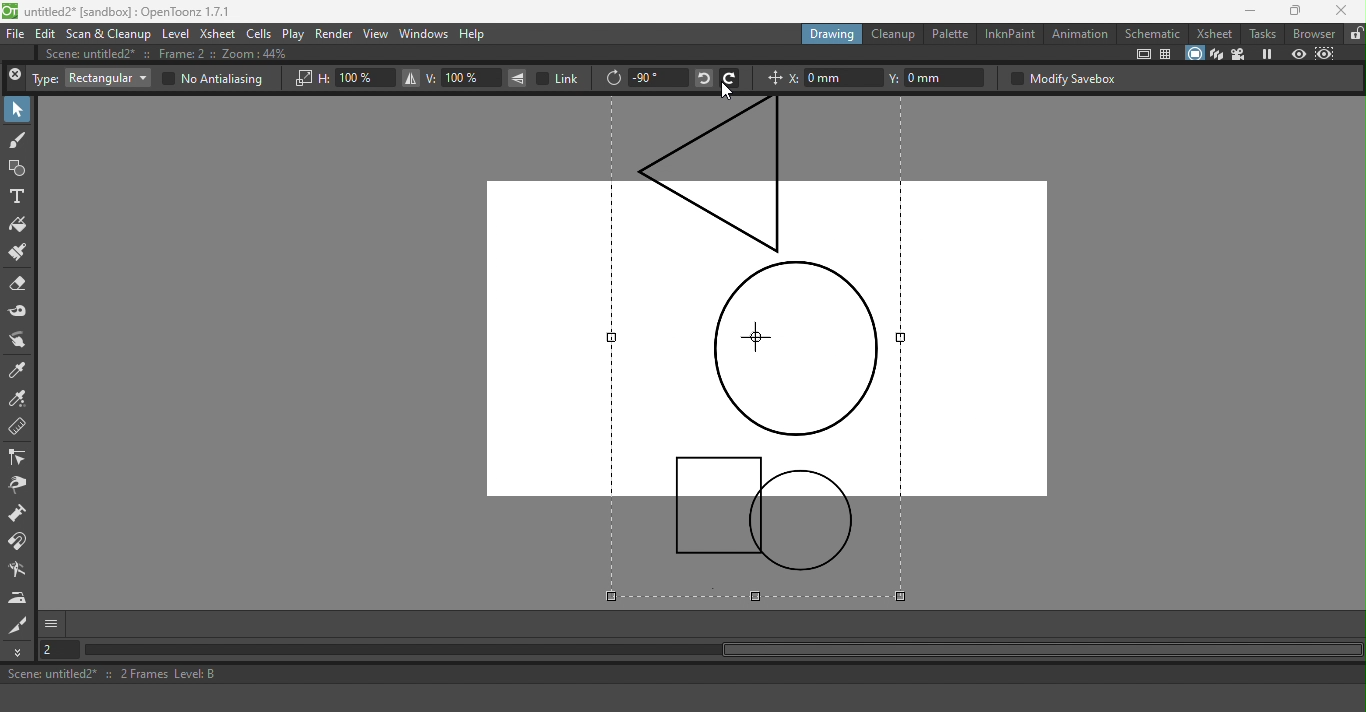 The width and height of the screenshot is (1366, 712). Describe the element at coordinates (409, 79) in the screenshot. I see `Flip selection horizontally` at that location.